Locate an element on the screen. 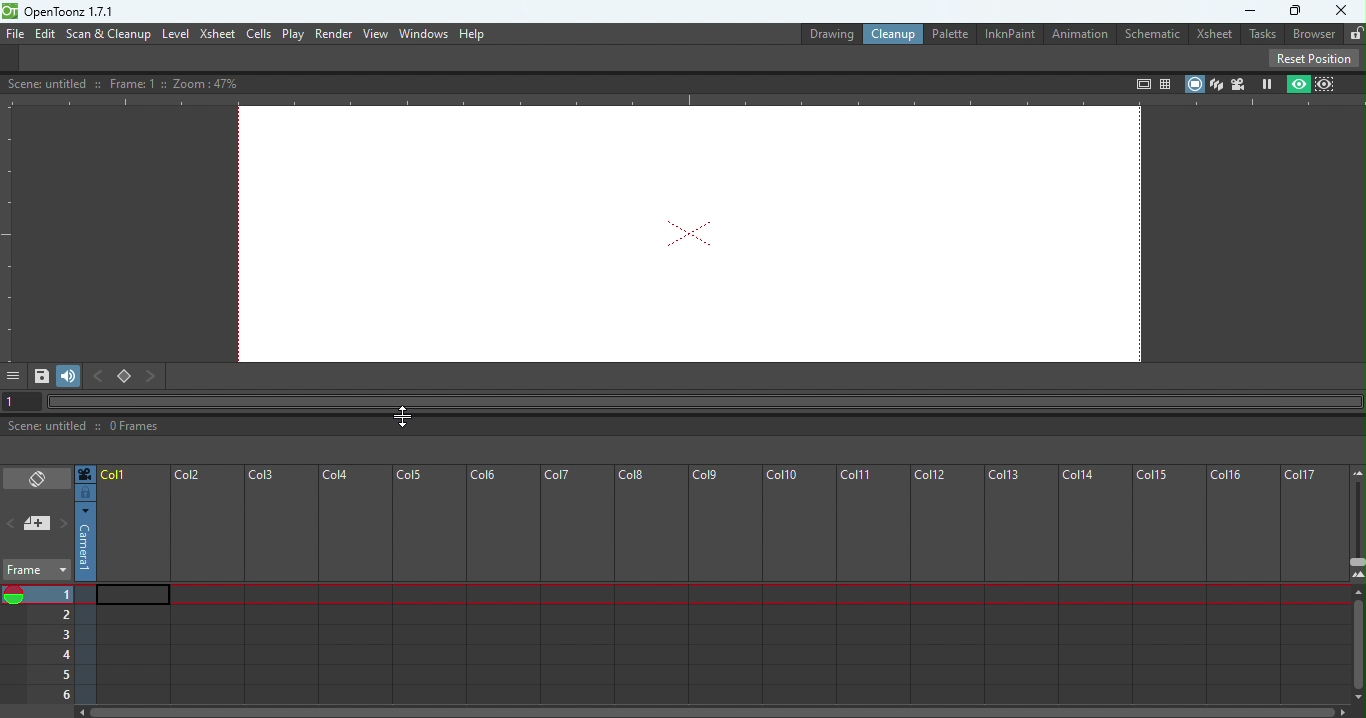 This screenshot has height=718, width=1366. Xsheet is located at coordinates (217, 35).